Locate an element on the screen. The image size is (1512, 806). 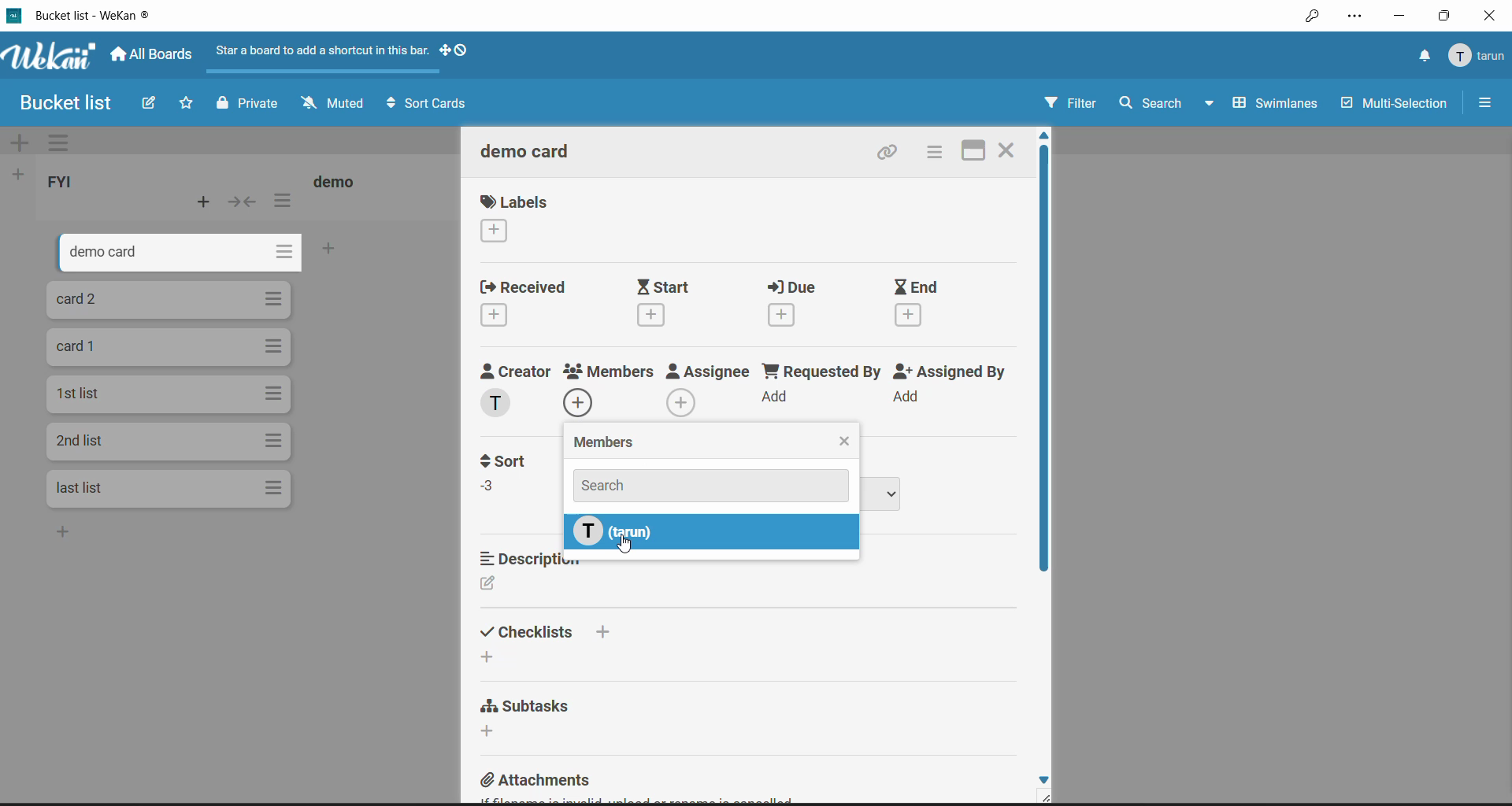
card bottom of the list is located at coordinates (365, 252).